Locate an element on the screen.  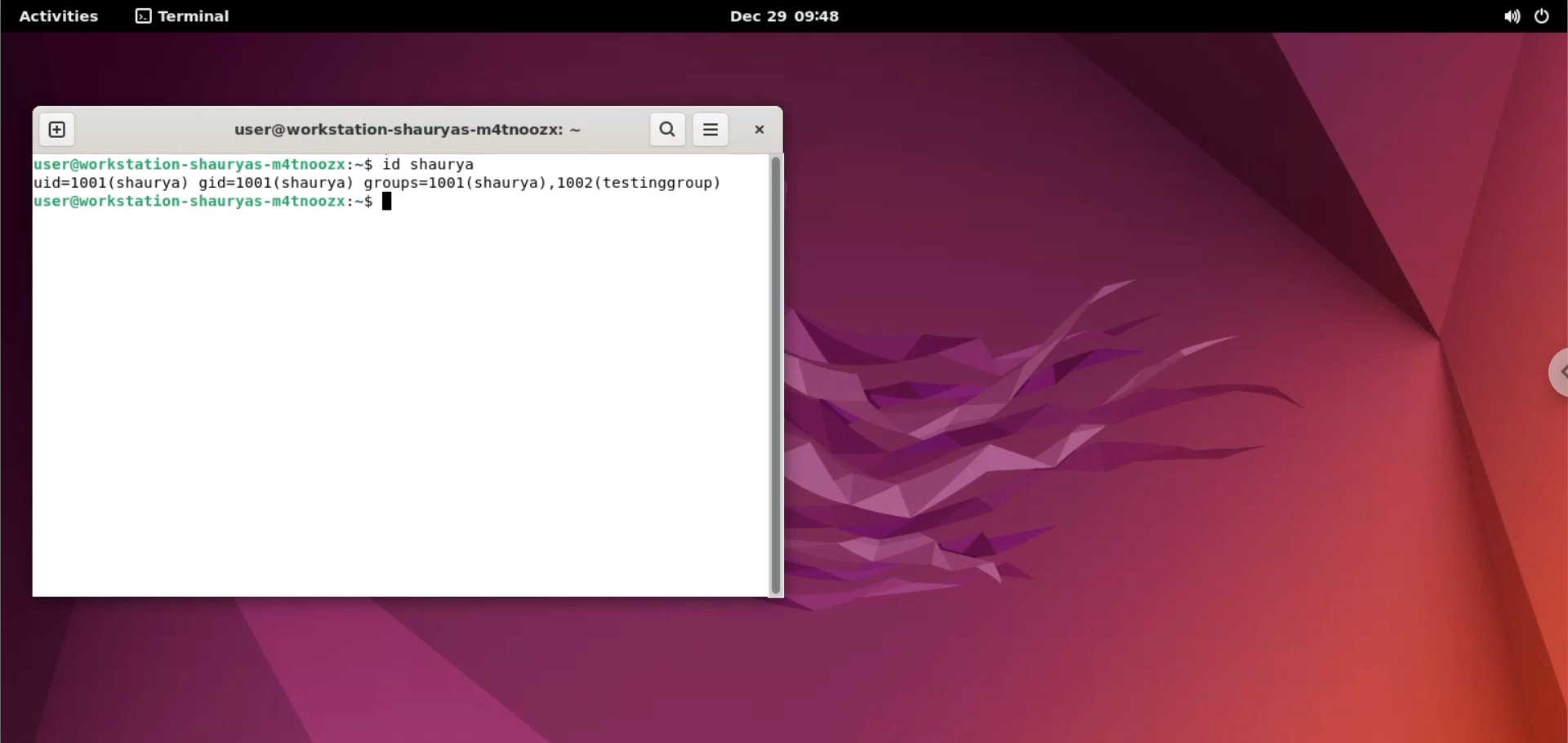
chrome options is located at coordinates (1545, 380).